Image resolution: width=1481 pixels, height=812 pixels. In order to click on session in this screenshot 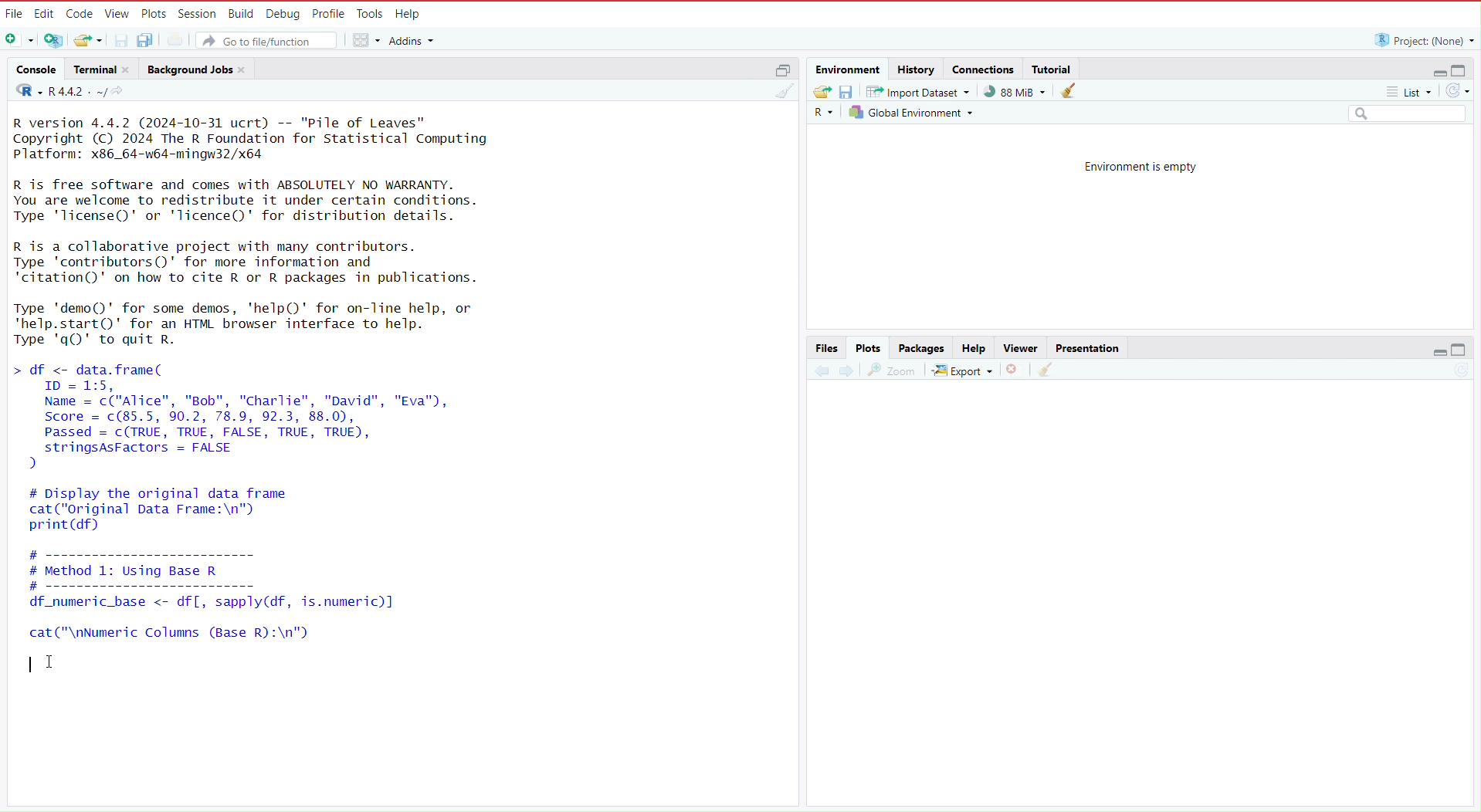, I will do `click(197, 12)`.